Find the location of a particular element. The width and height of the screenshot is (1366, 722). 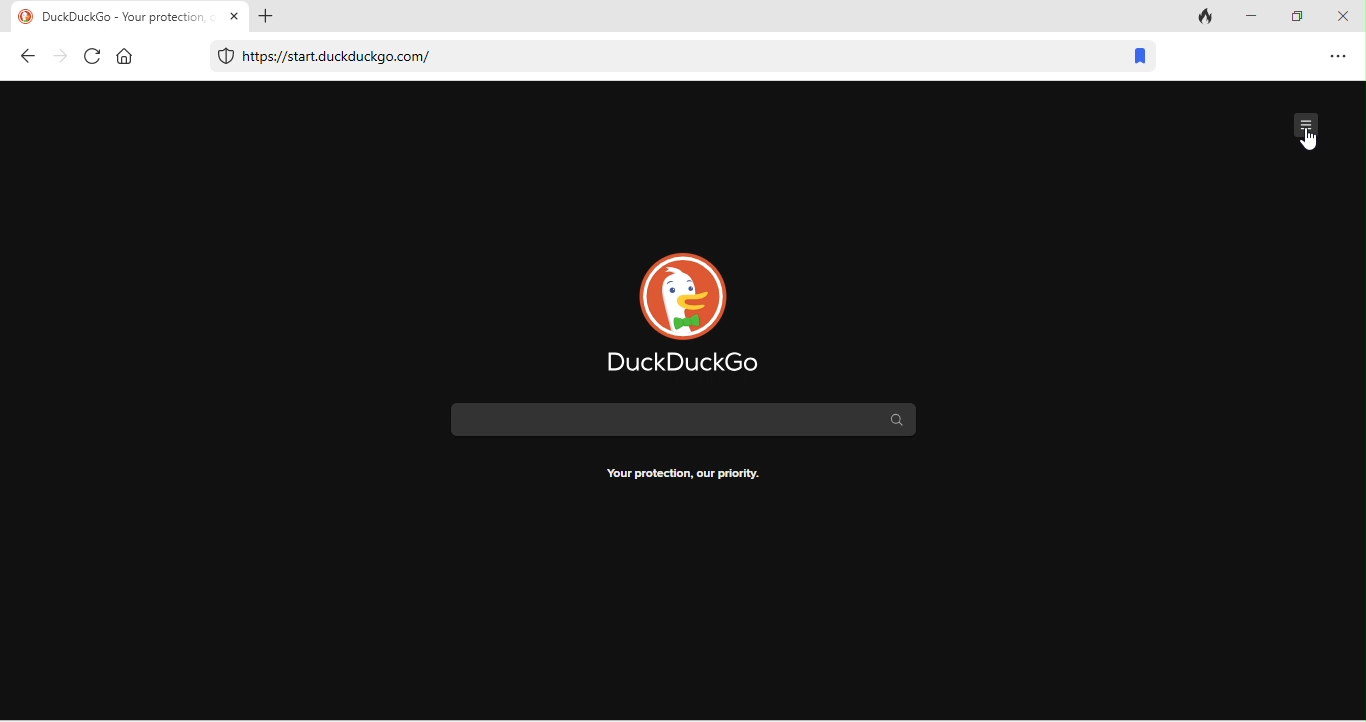

search bar is located at coordinates (677, 418).